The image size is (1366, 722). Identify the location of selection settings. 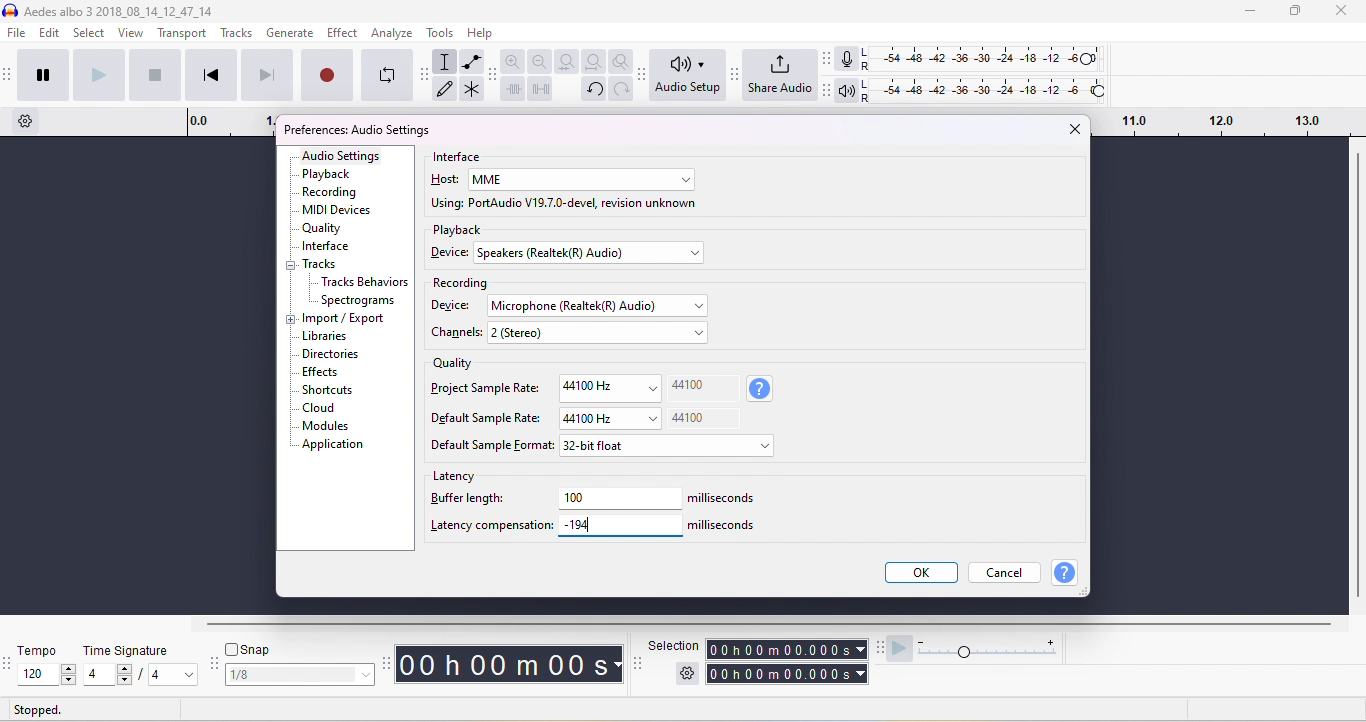
(686, 673).